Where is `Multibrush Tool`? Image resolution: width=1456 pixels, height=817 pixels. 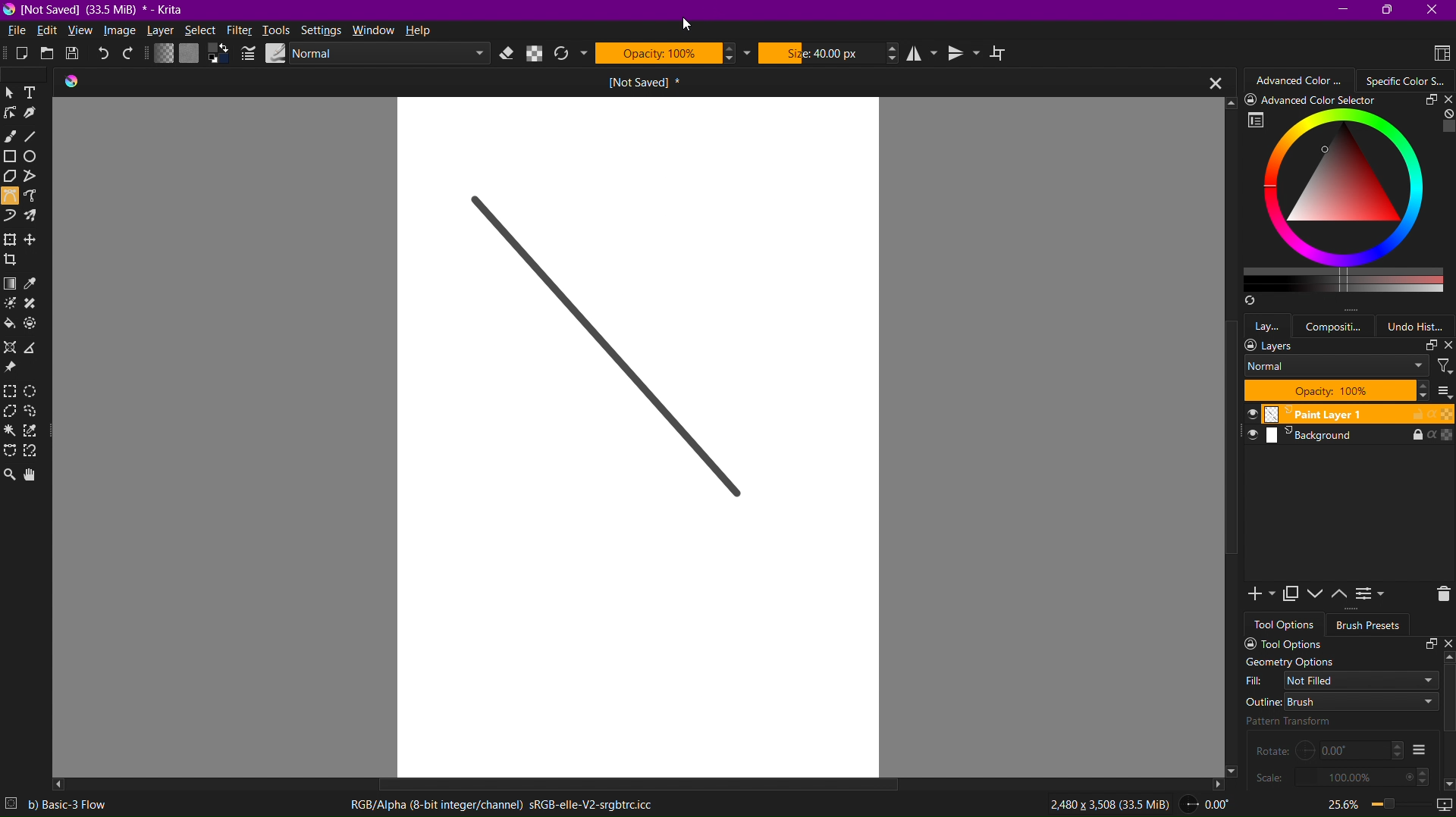 Multibrush Tool is located at coordinates (36, 218).